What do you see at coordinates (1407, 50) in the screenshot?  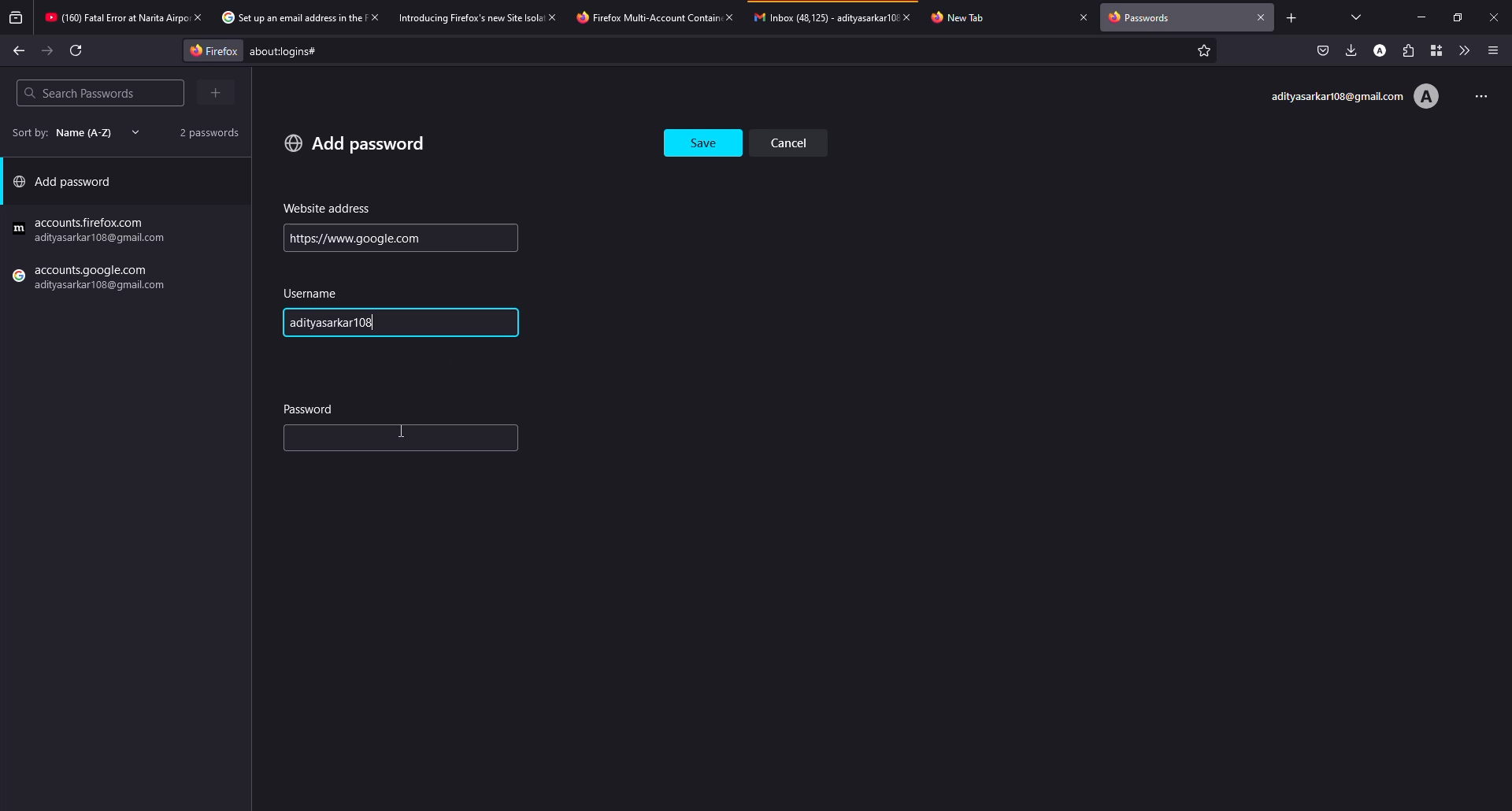 I see `extensions` at bounding box center [1407, 50].